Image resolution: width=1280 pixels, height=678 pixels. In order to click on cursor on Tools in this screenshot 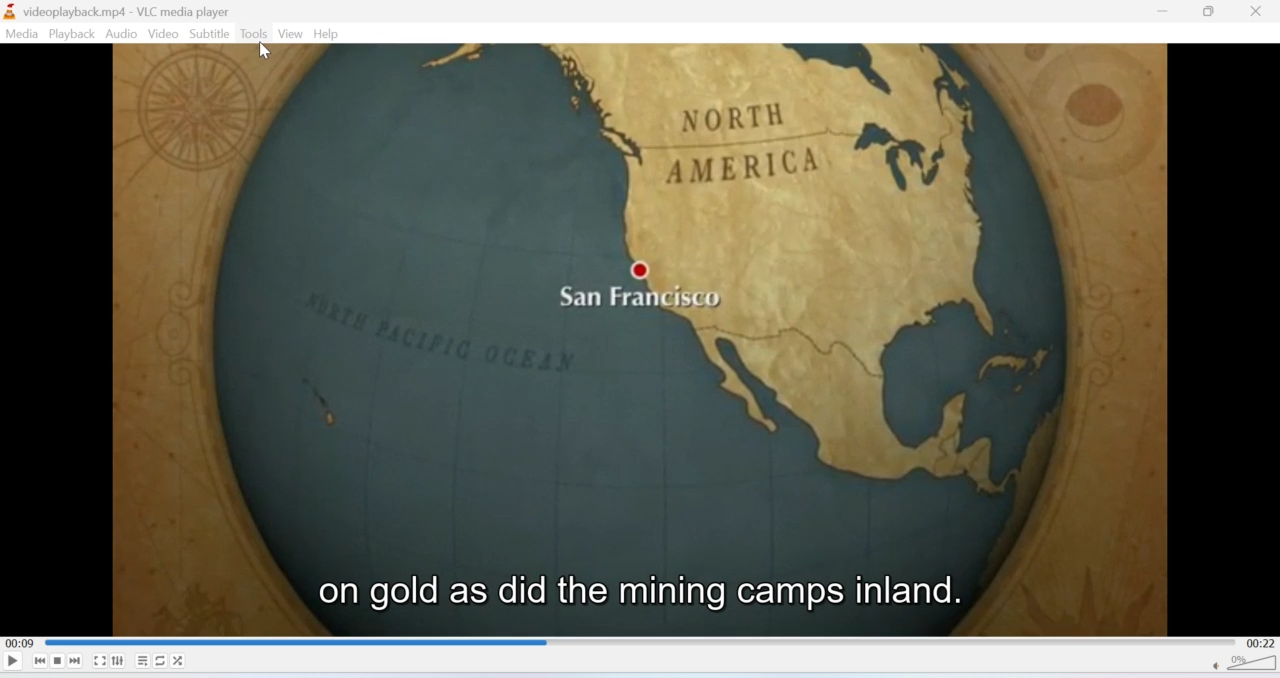, I will do `click(265, 51)`.